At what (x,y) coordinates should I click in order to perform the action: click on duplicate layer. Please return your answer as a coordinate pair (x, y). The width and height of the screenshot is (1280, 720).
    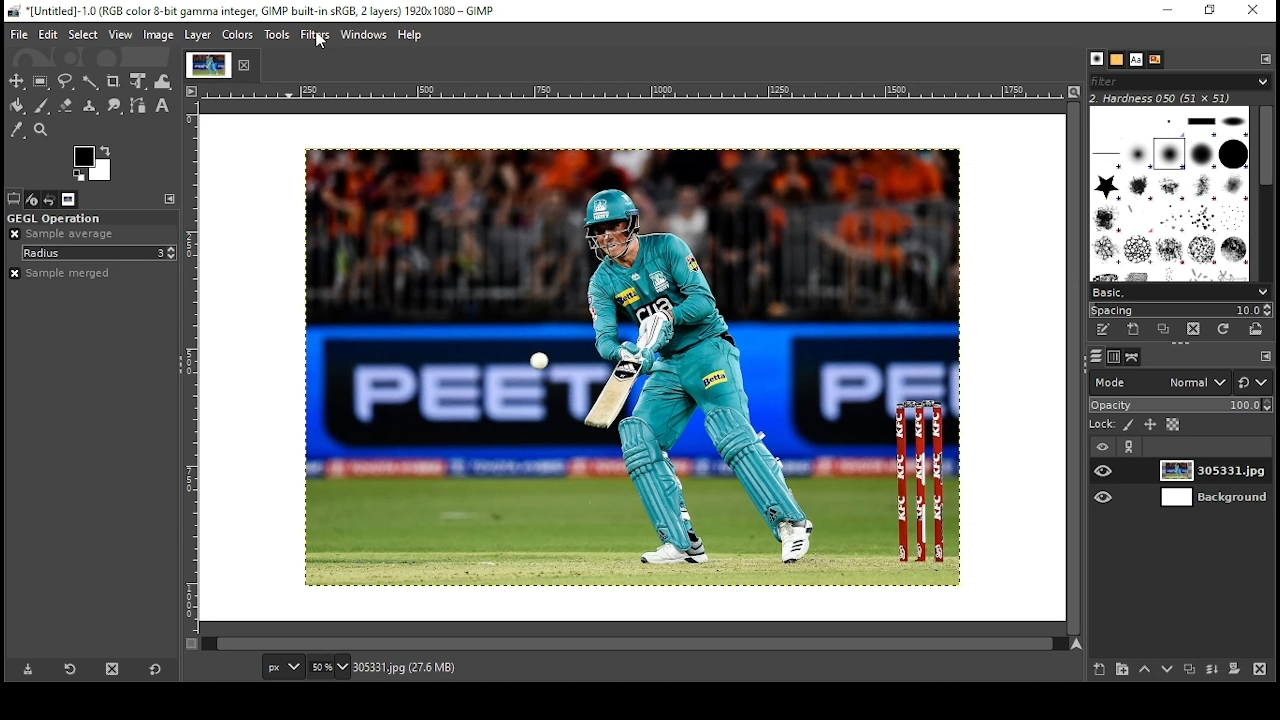
    Looking at the image, I should click on (1192, 670).